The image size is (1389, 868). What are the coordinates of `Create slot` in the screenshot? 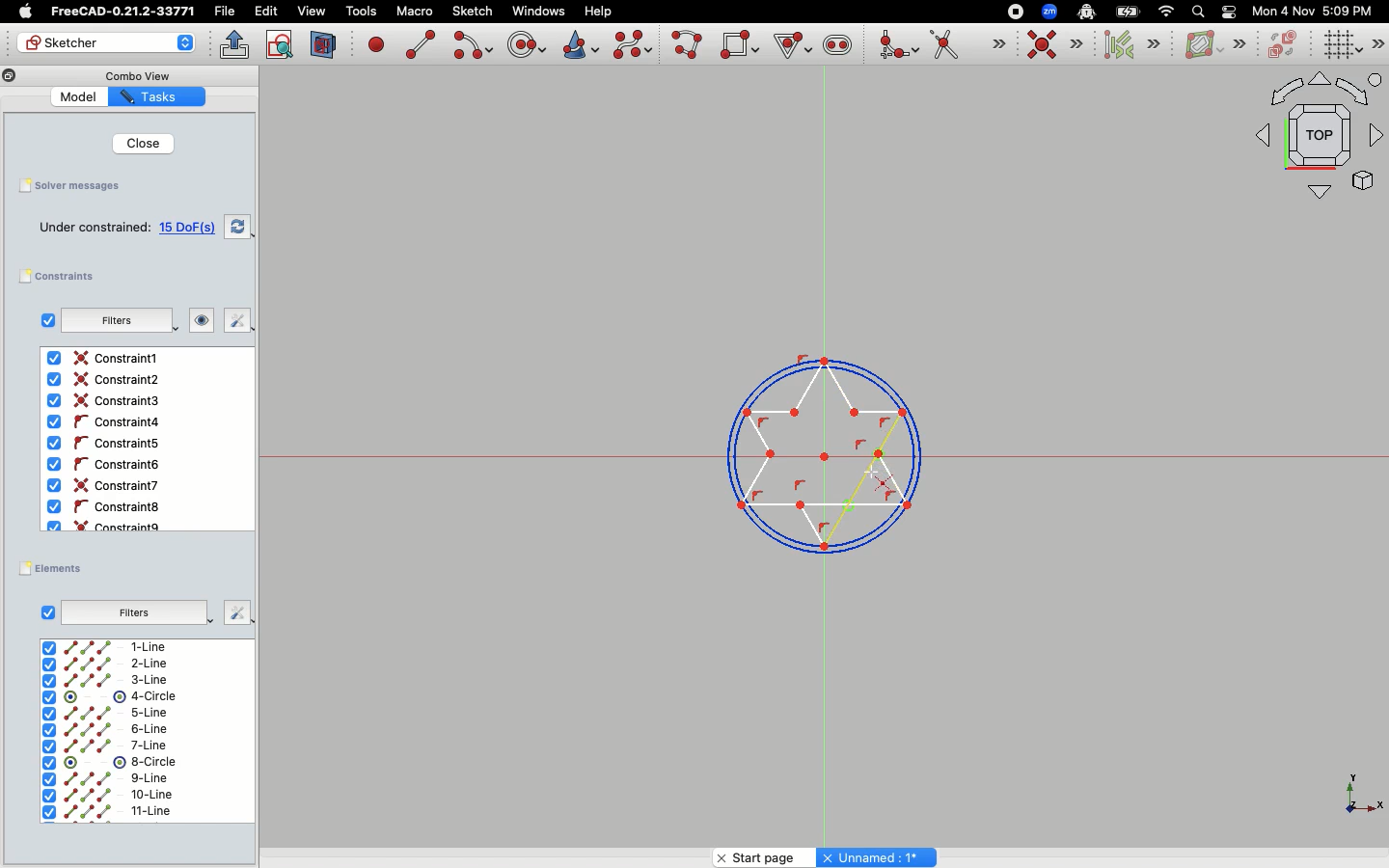 It's located at (836, 47).